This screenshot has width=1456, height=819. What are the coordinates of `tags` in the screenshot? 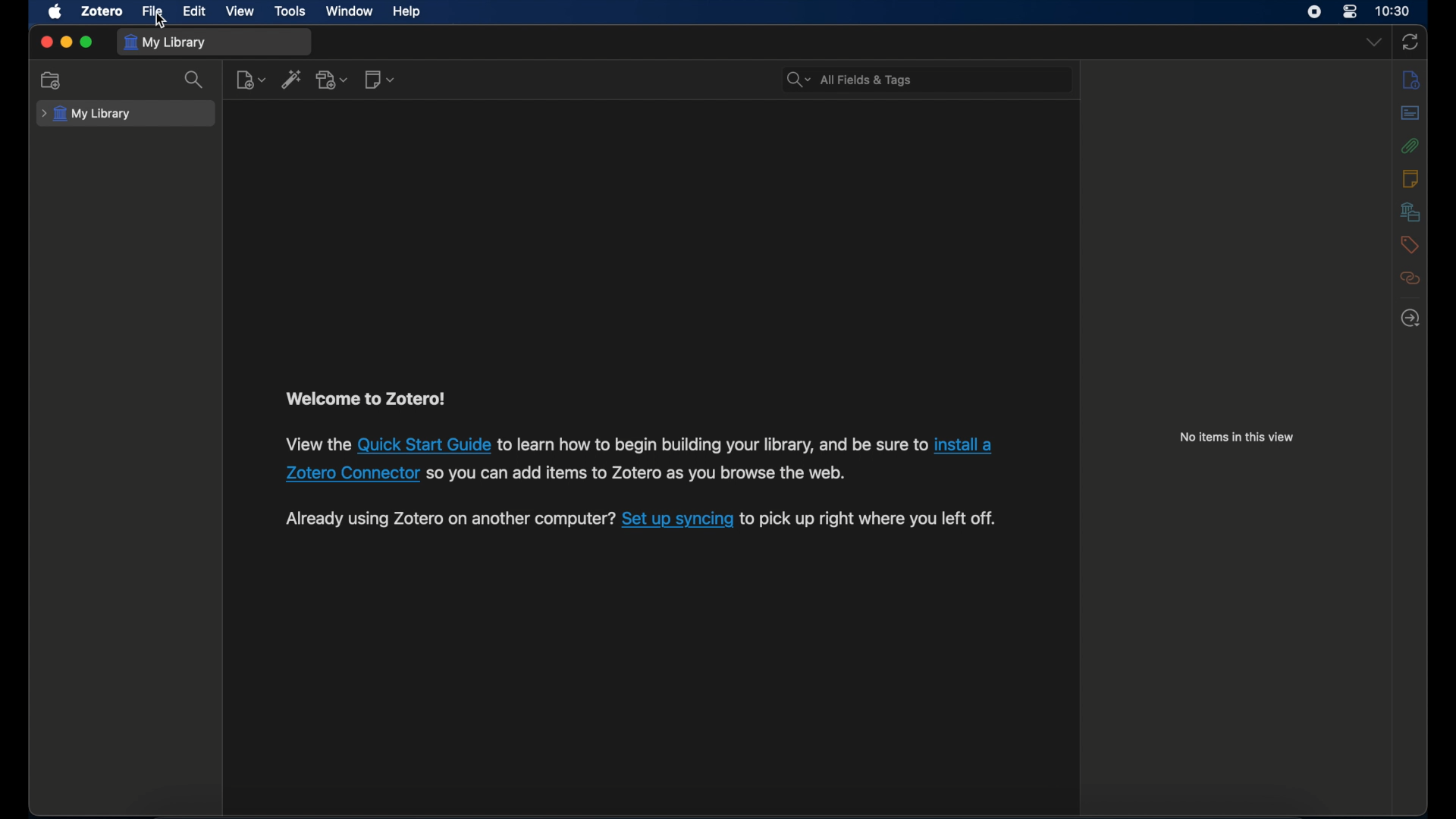 It's located at (1407, 244).